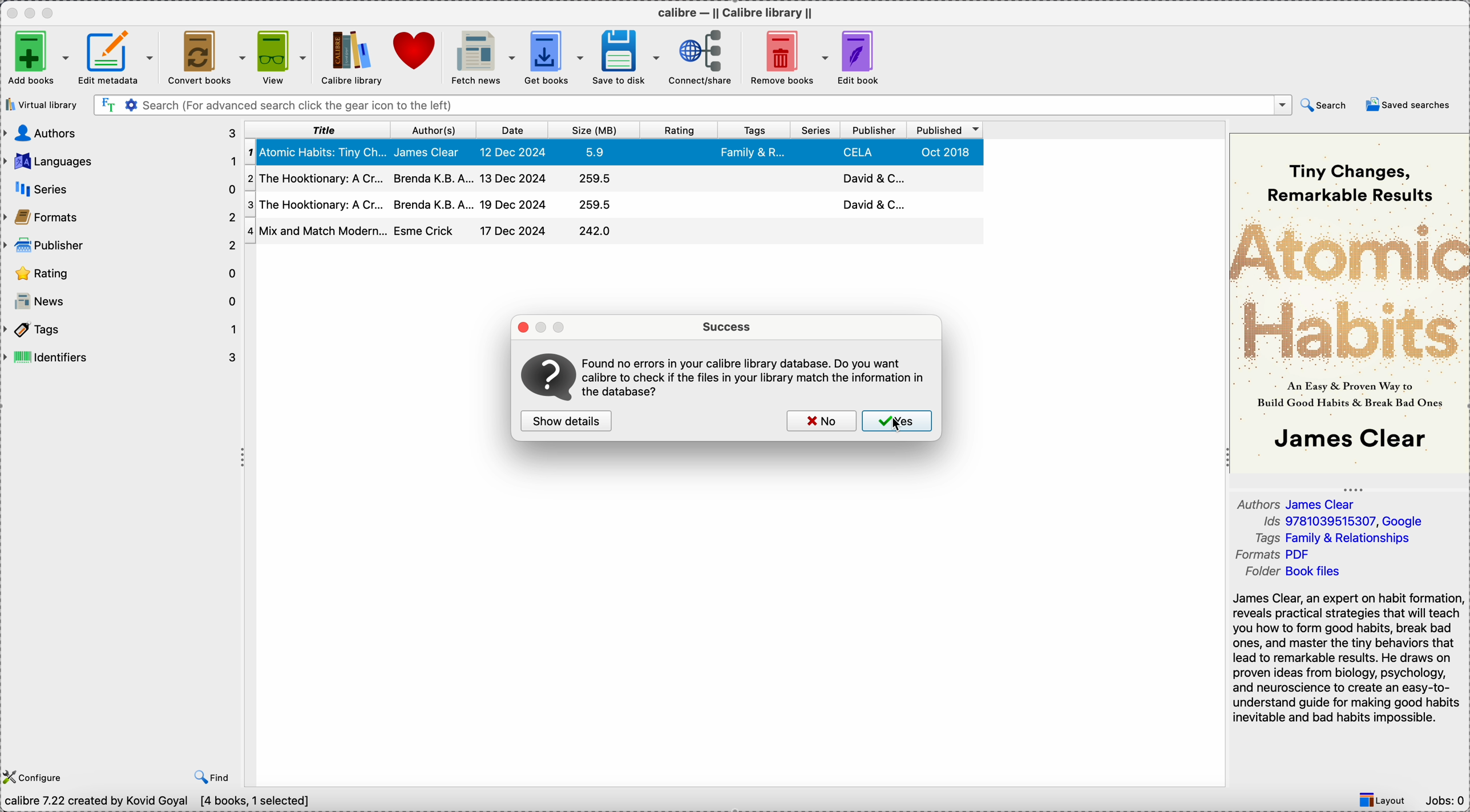 The width and height of the screenshot is (1470, 812). What do you see at coordinates (119, 134) in the screenshot?
I see `authors` at bounding box center [119, 134].